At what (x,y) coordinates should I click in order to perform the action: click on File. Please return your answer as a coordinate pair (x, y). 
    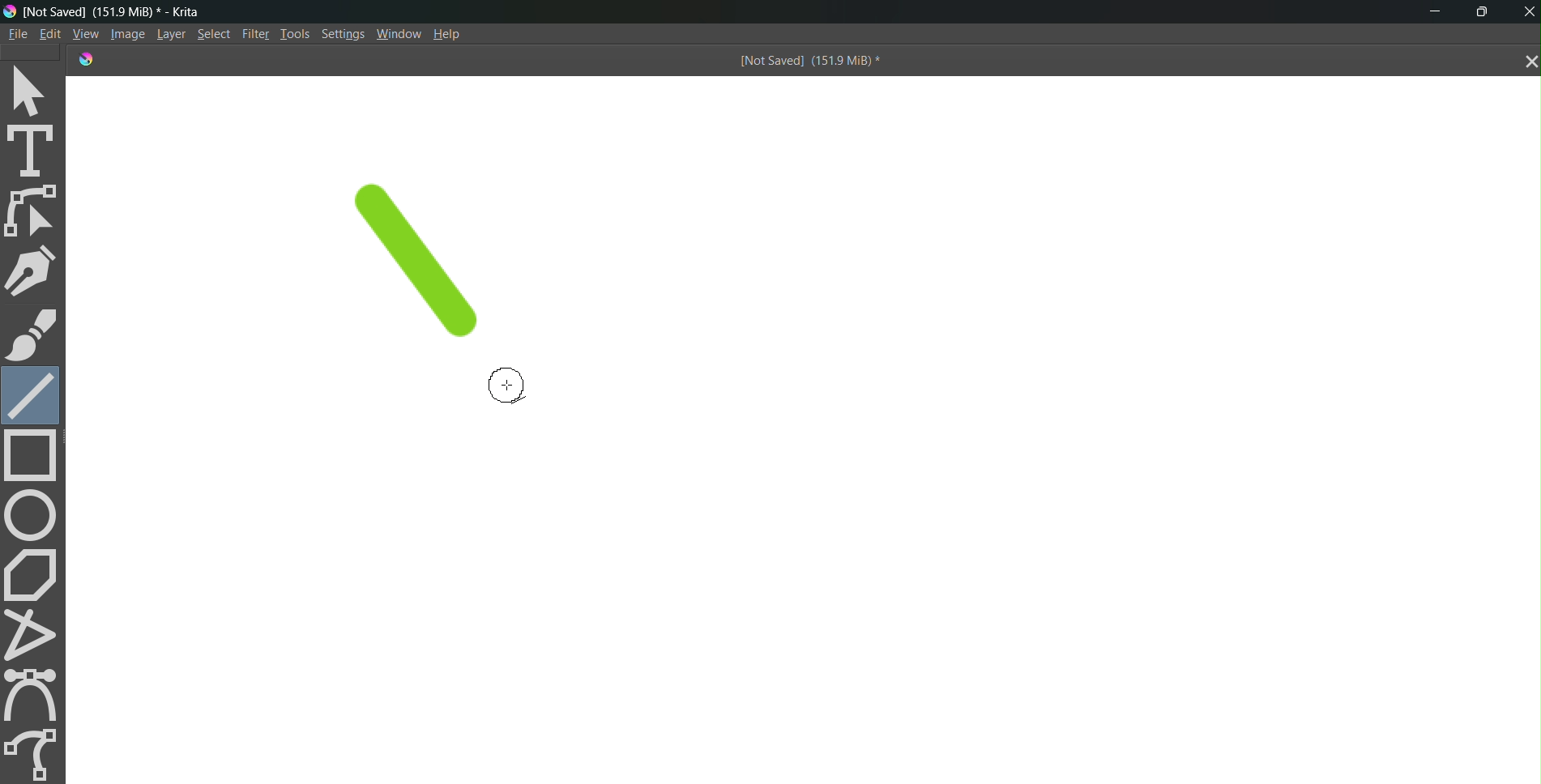
    Looking at the image, I should click on (16, 33).